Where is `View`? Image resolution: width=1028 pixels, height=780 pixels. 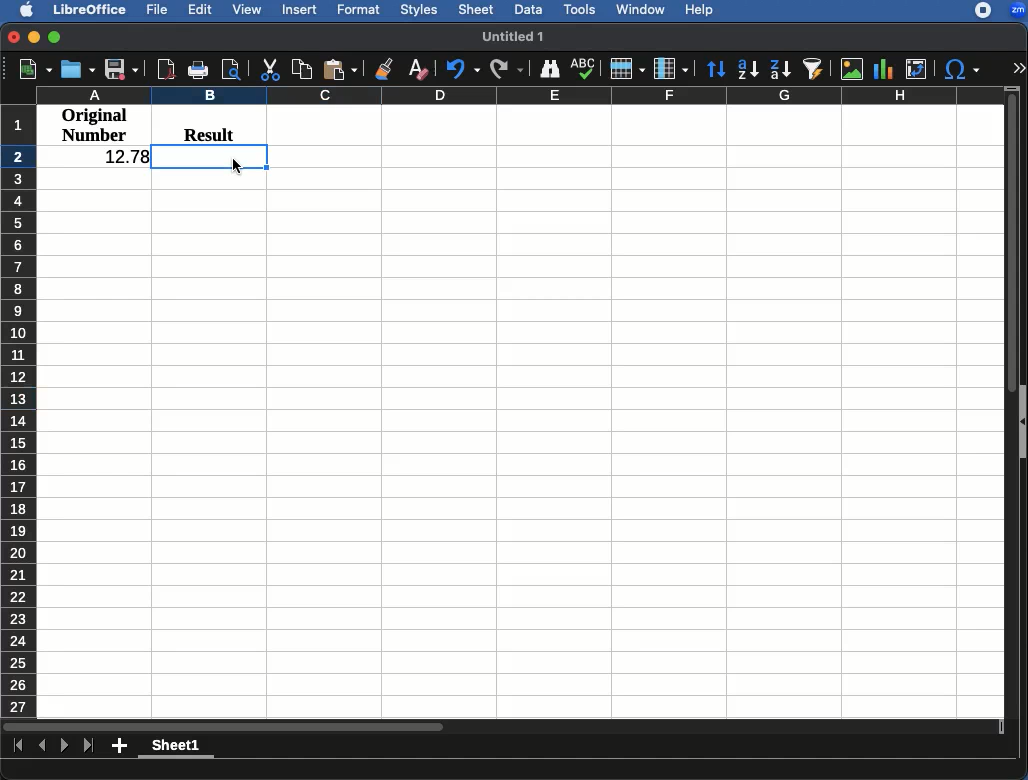 View is located at coordinates (249, 10).